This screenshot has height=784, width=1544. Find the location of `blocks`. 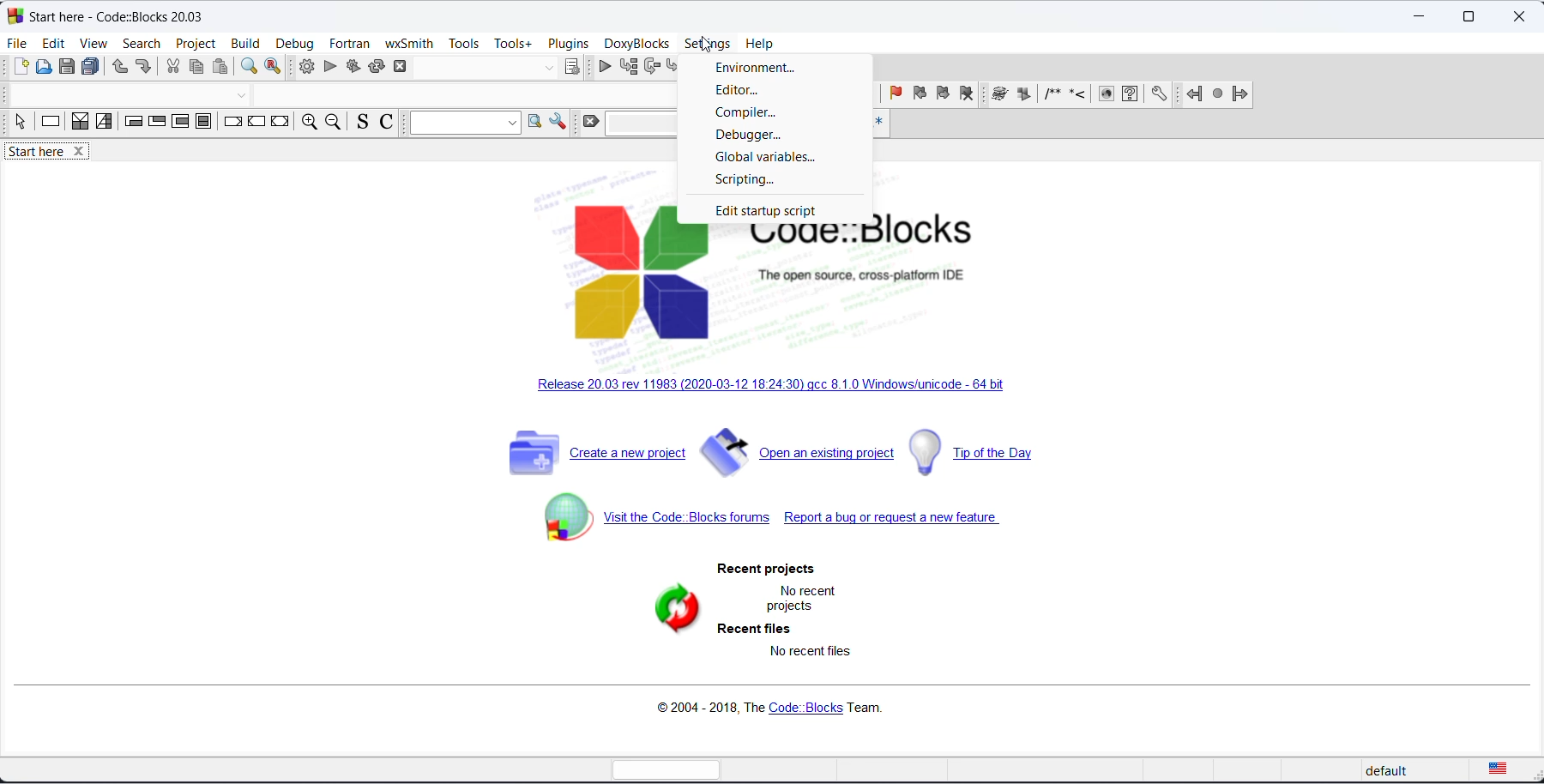

blocks is located at coordinates (1106, 93).